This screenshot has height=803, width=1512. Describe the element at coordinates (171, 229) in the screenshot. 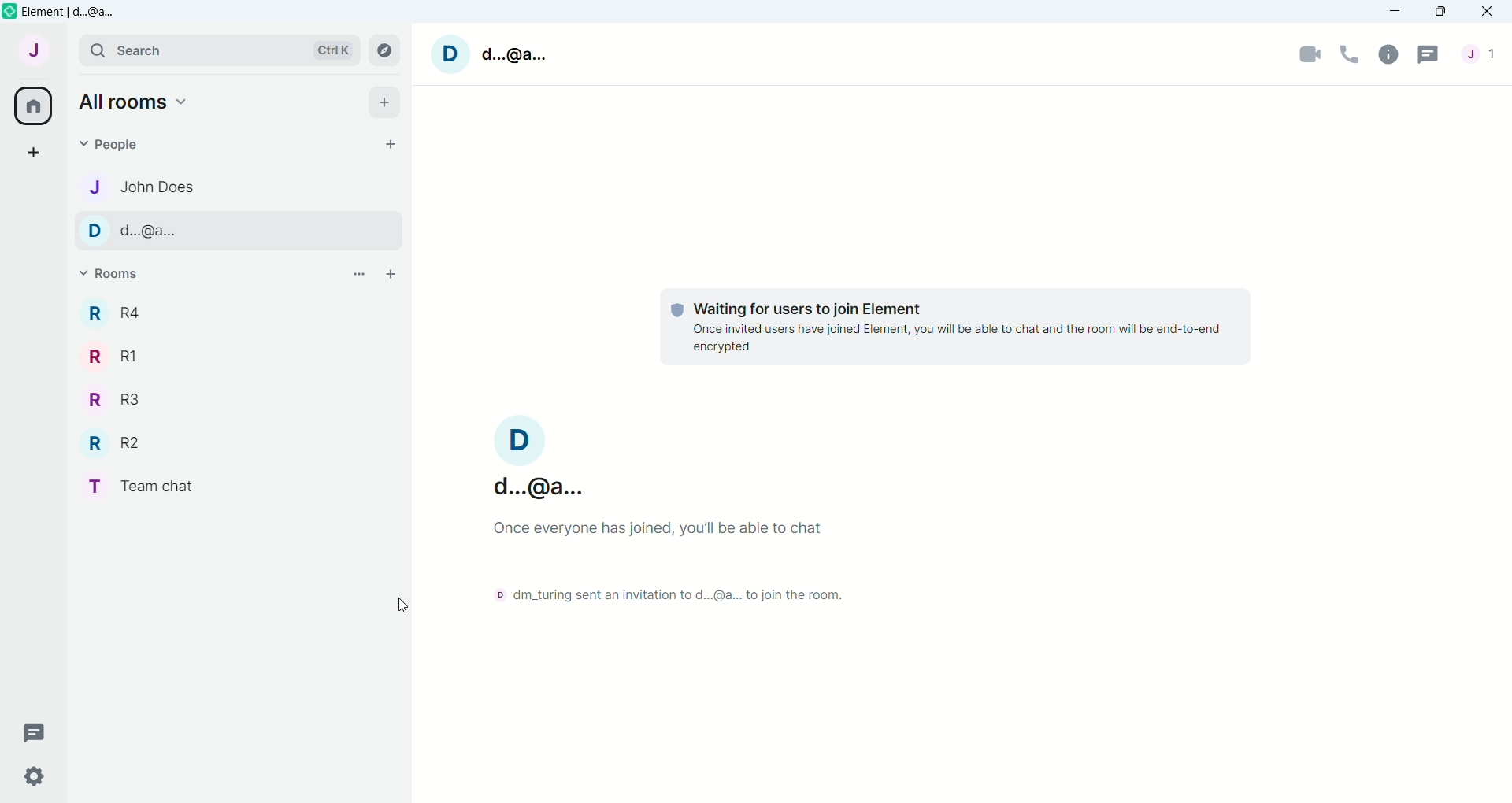

I see `Contact name` at that location.